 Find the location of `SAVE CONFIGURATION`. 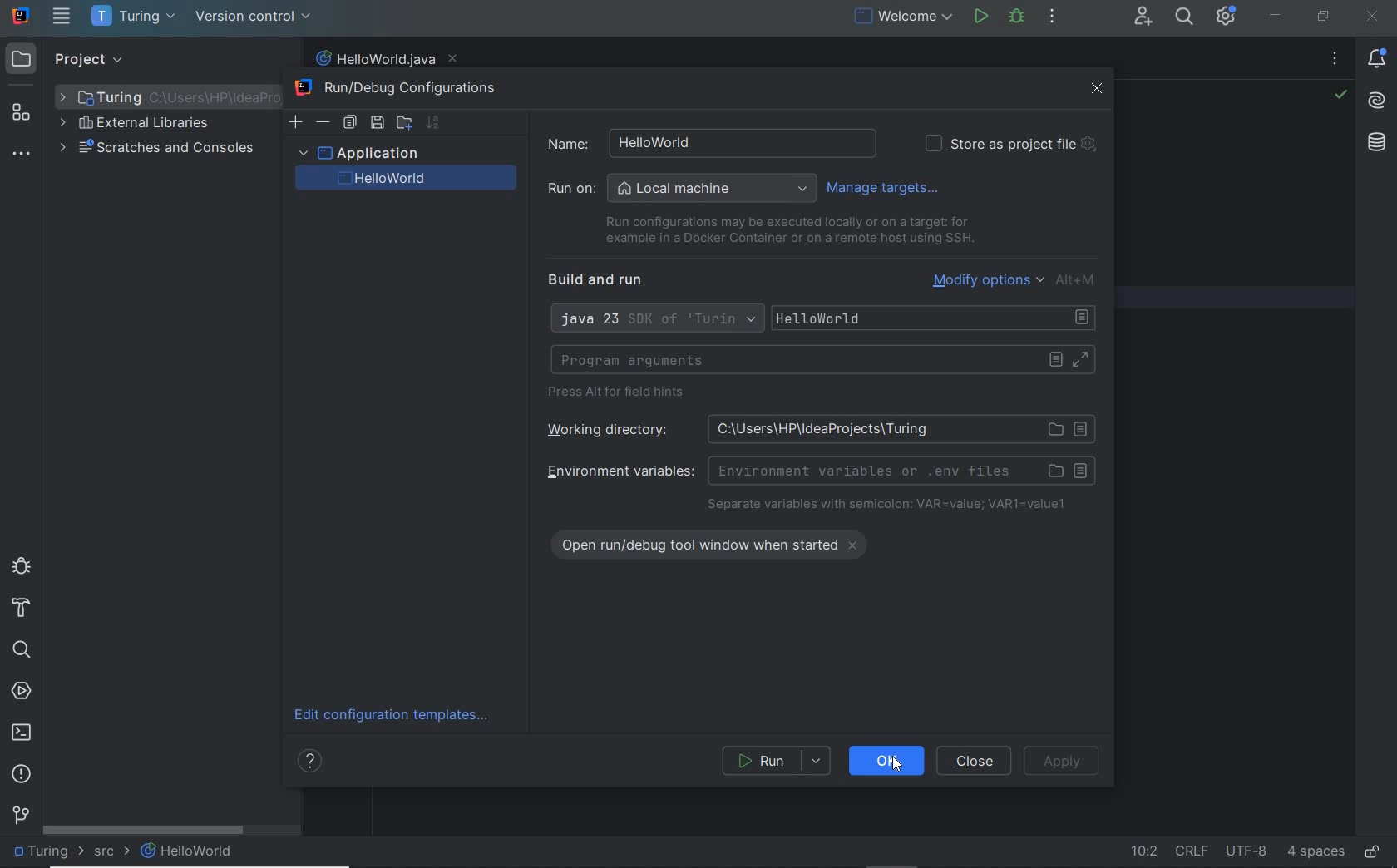

SAVE CONFIGURATION is located at coordinates (377, 123).